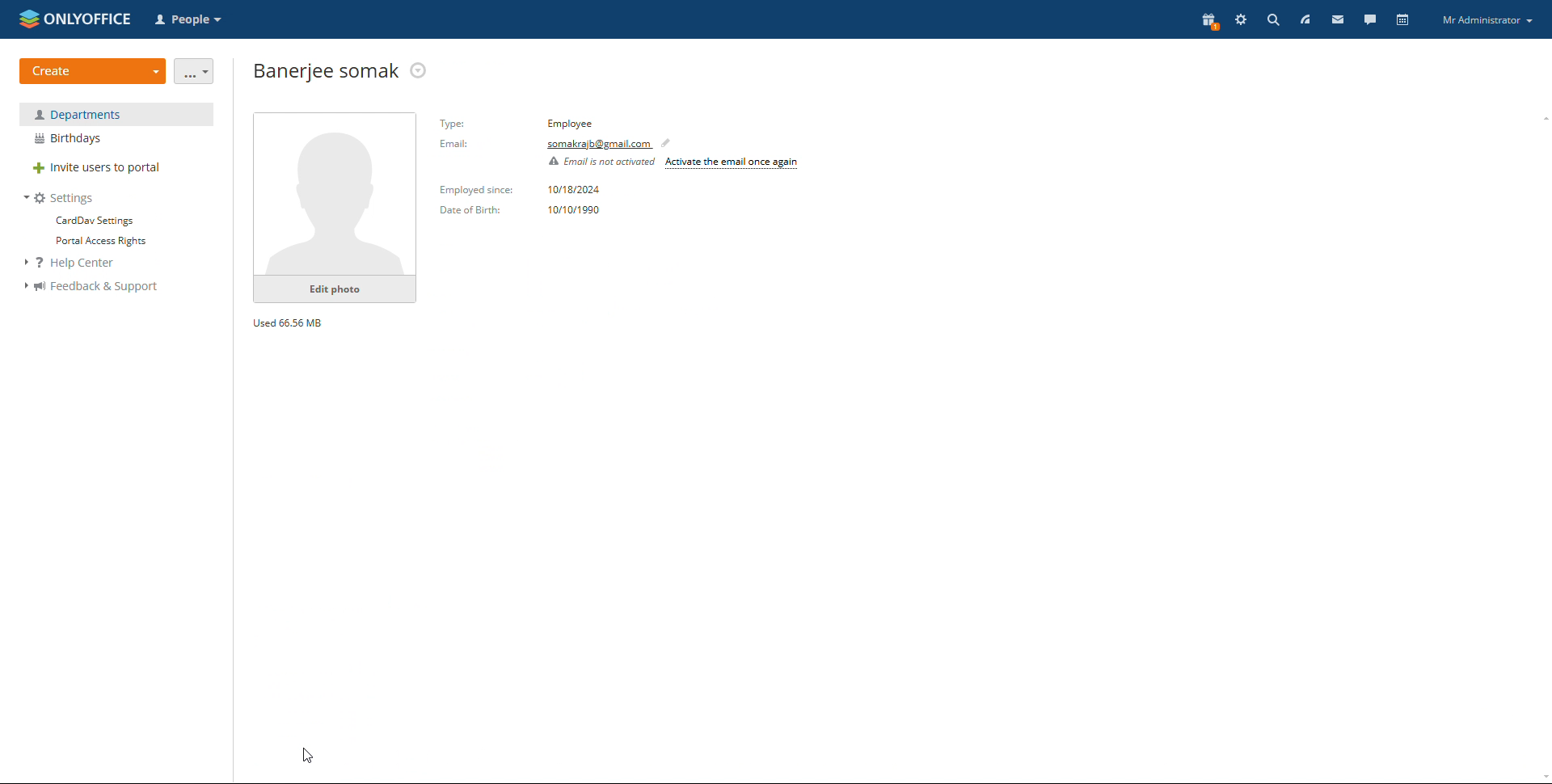  I want to click on type, so click(571, 123).